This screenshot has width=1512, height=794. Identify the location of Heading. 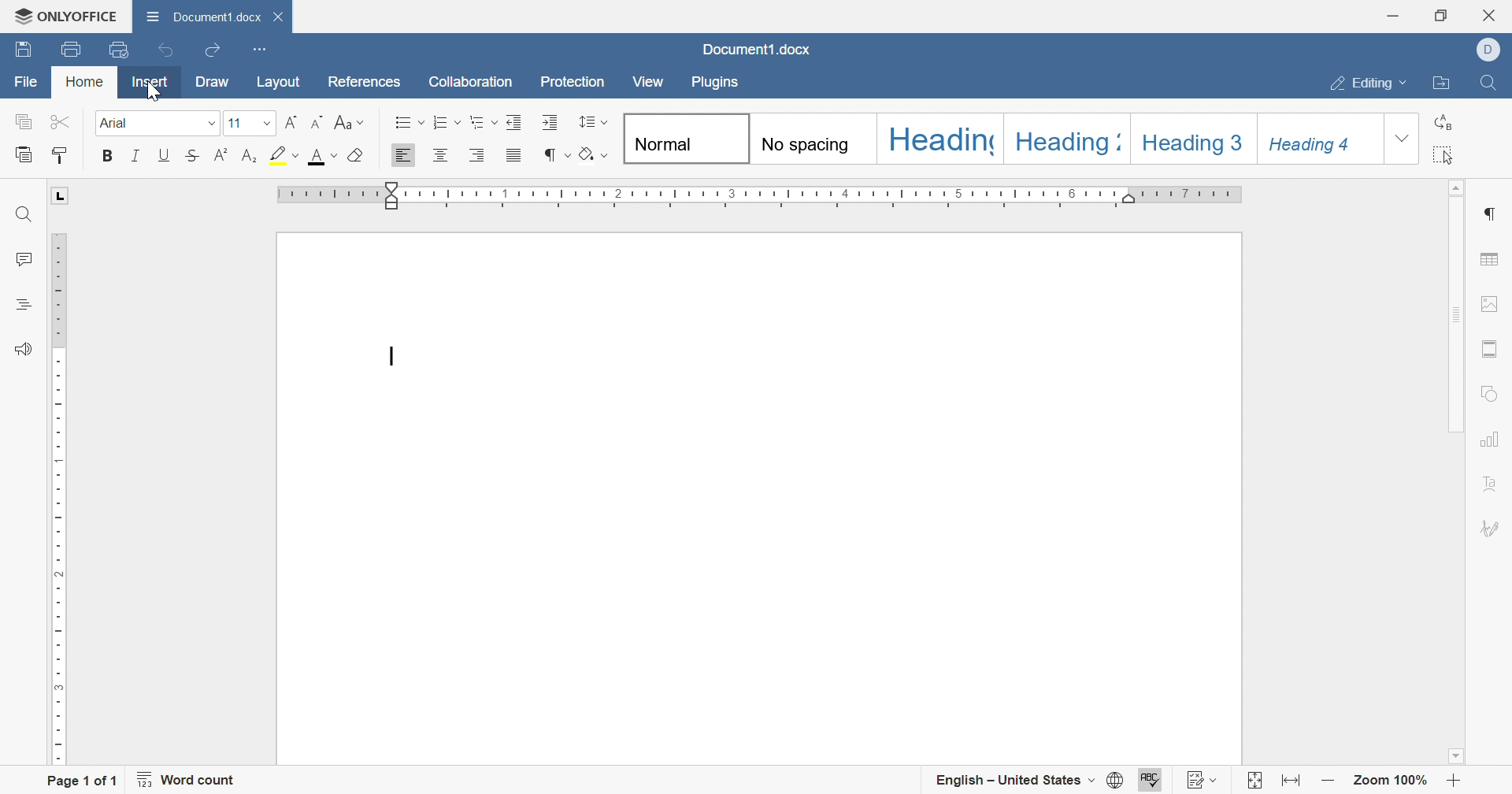
(941, 139).